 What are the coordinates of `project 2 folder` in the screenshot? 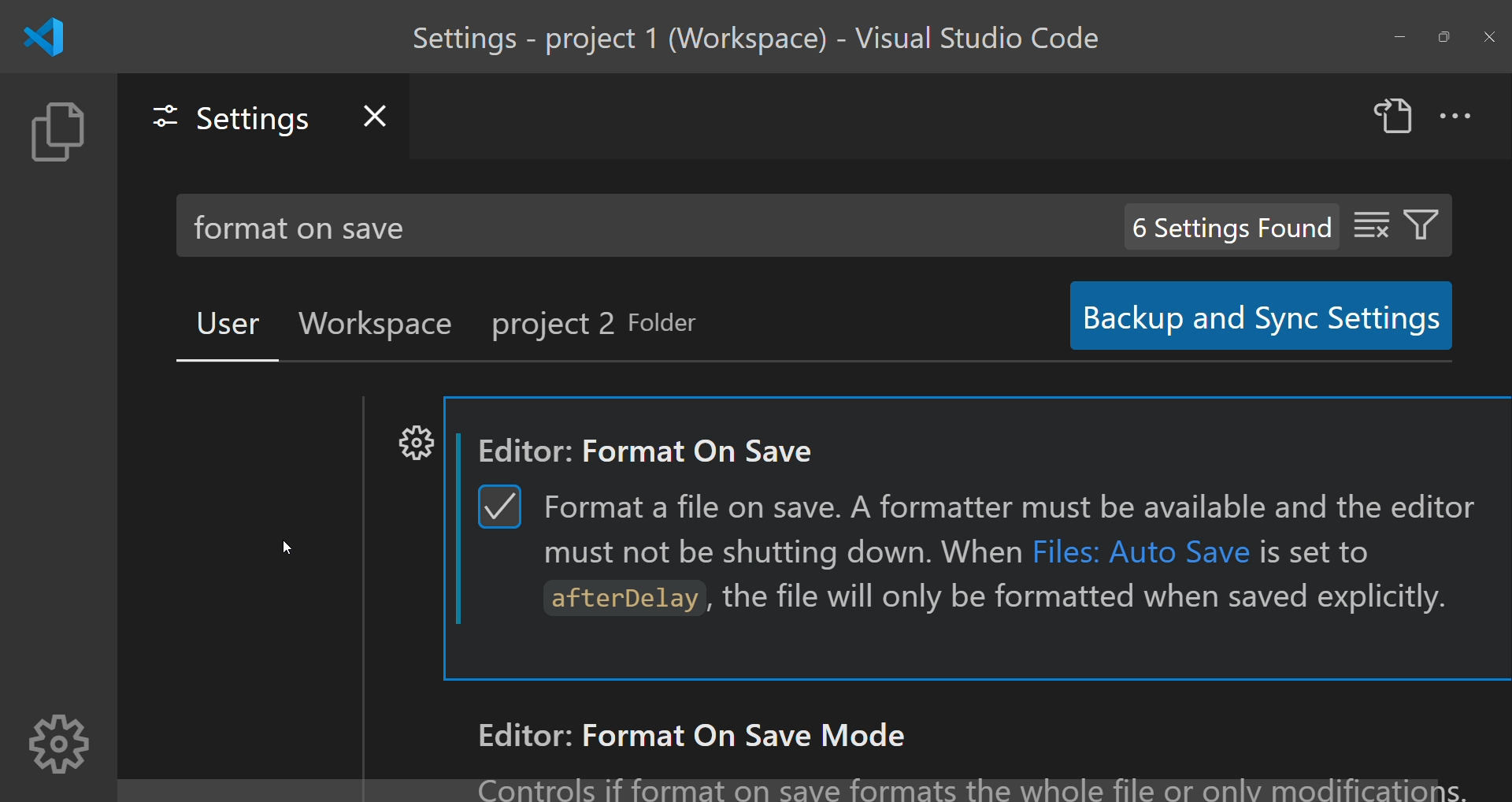 It's located at (609, 326).